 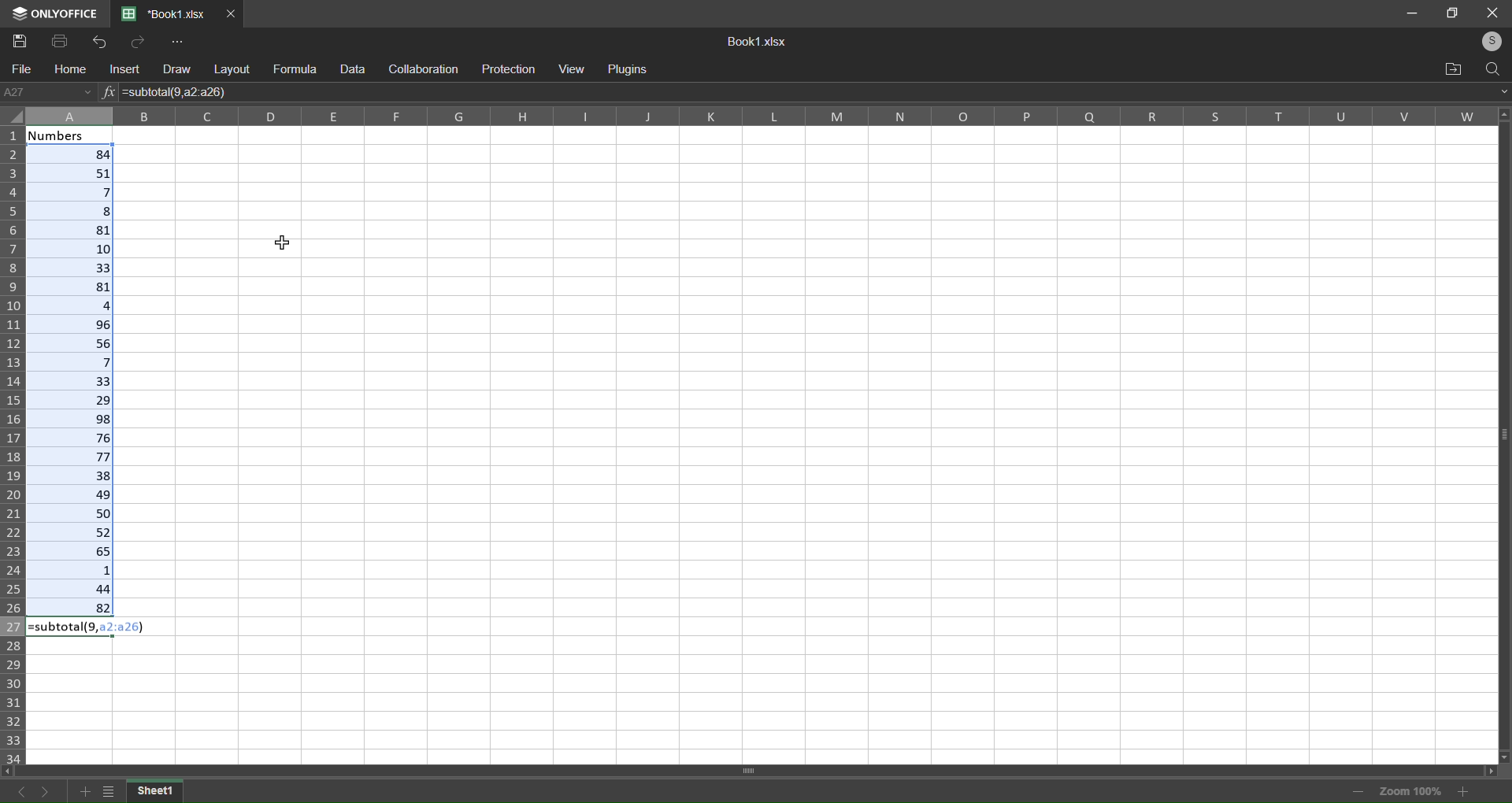 I want to click on expand, so click(x=1501, y=89).